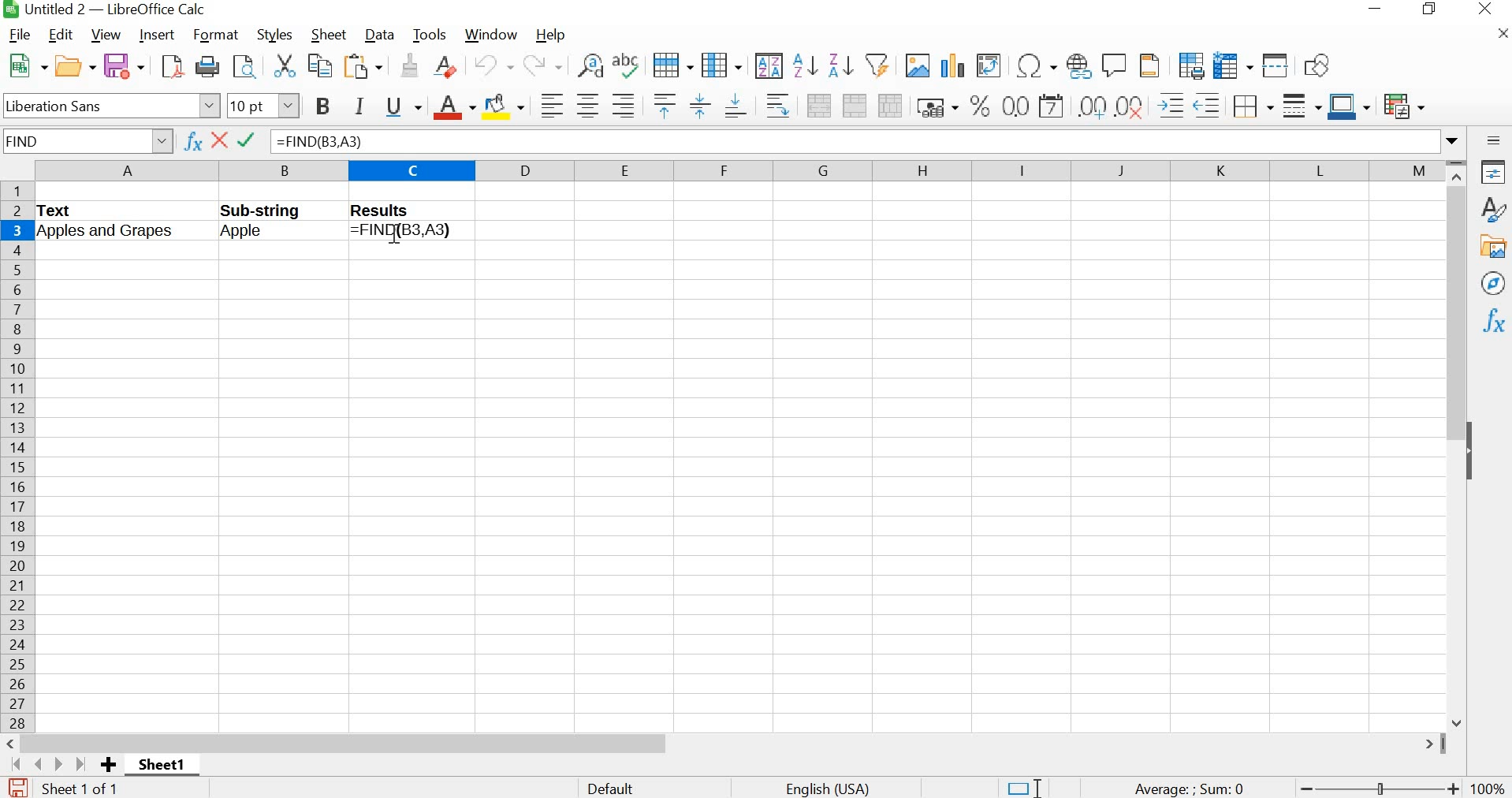 This screenshot has width=1512, height=798. I want to click on paste, so click(365, 66).